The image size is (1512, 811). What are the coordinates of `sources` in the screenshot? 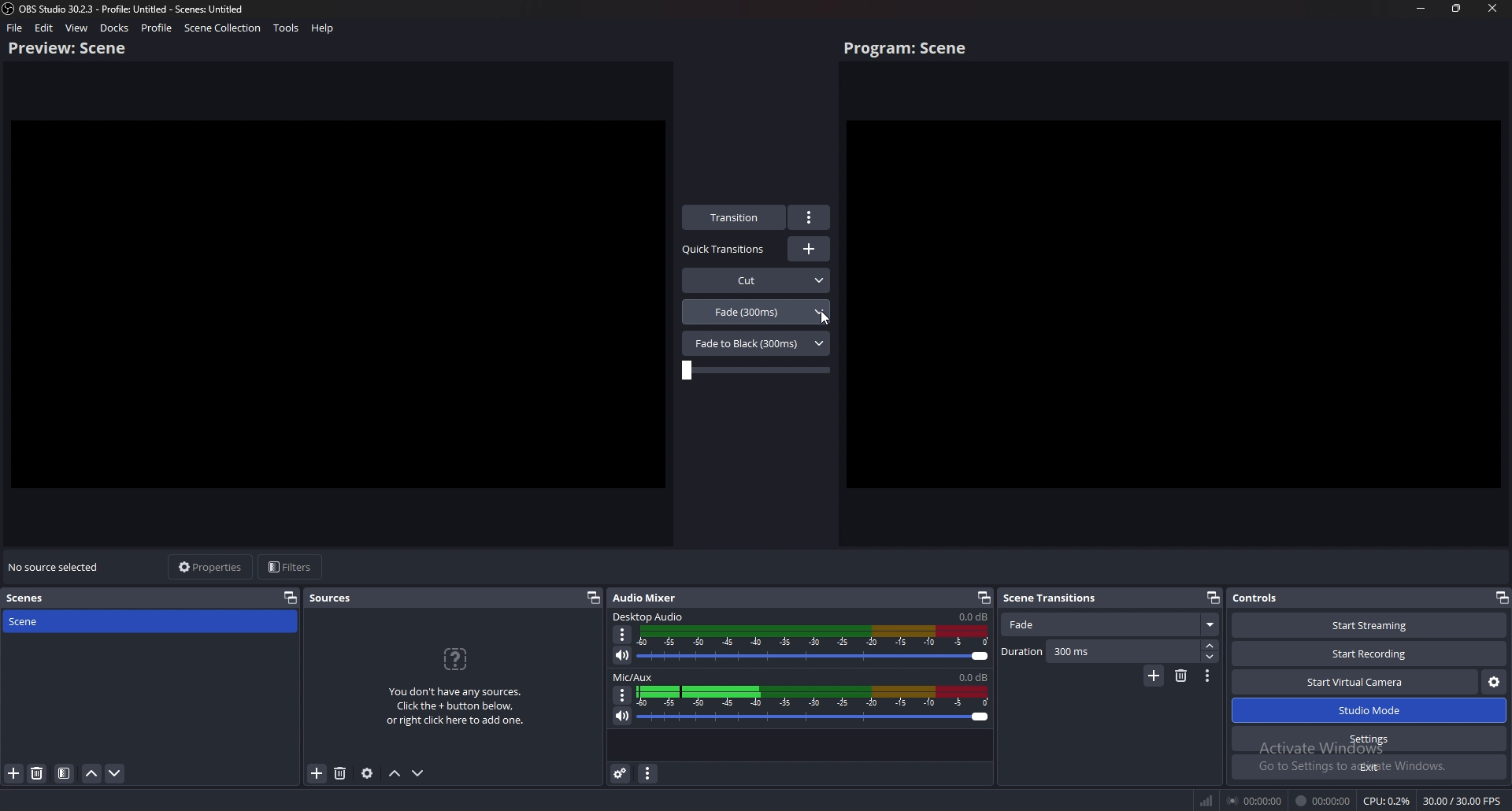 It's located at (332, 598).